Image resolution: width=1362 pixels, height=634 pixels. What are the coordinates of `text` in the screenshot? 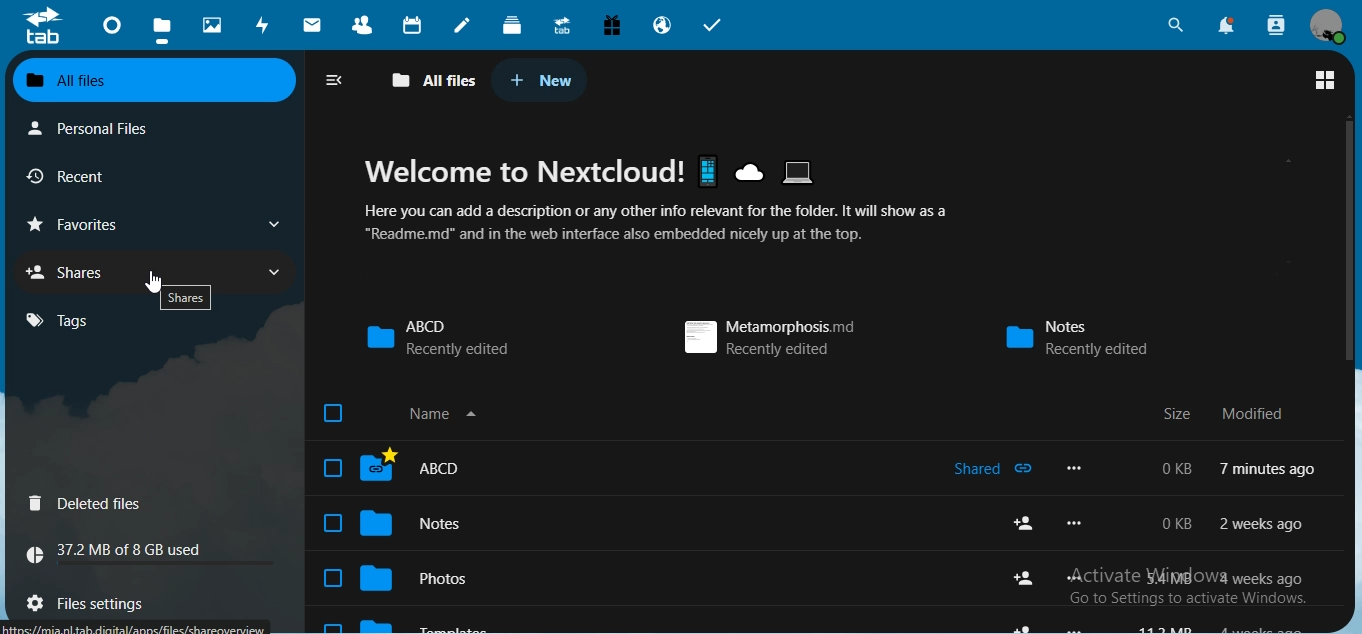 It's located at (661, 209).